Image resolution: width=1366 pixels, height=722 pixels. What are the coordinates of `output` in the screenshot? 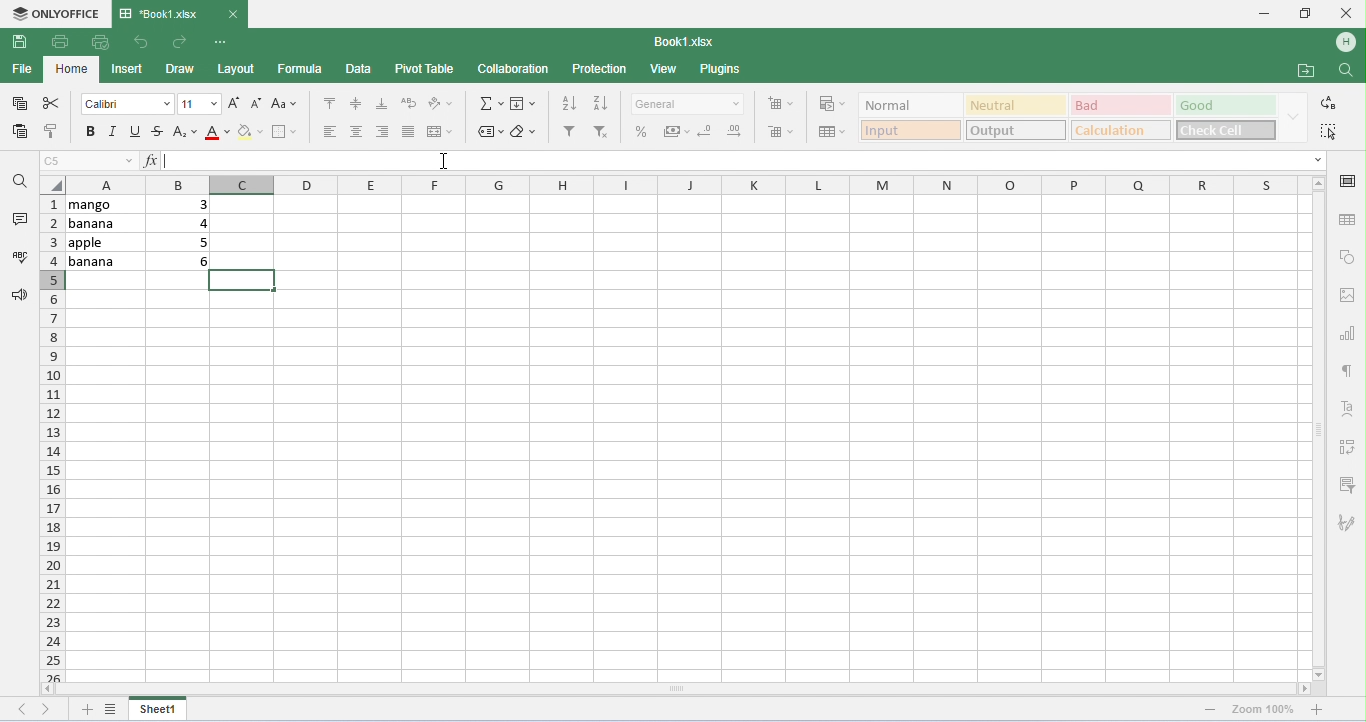 It's located at (1017, 130).